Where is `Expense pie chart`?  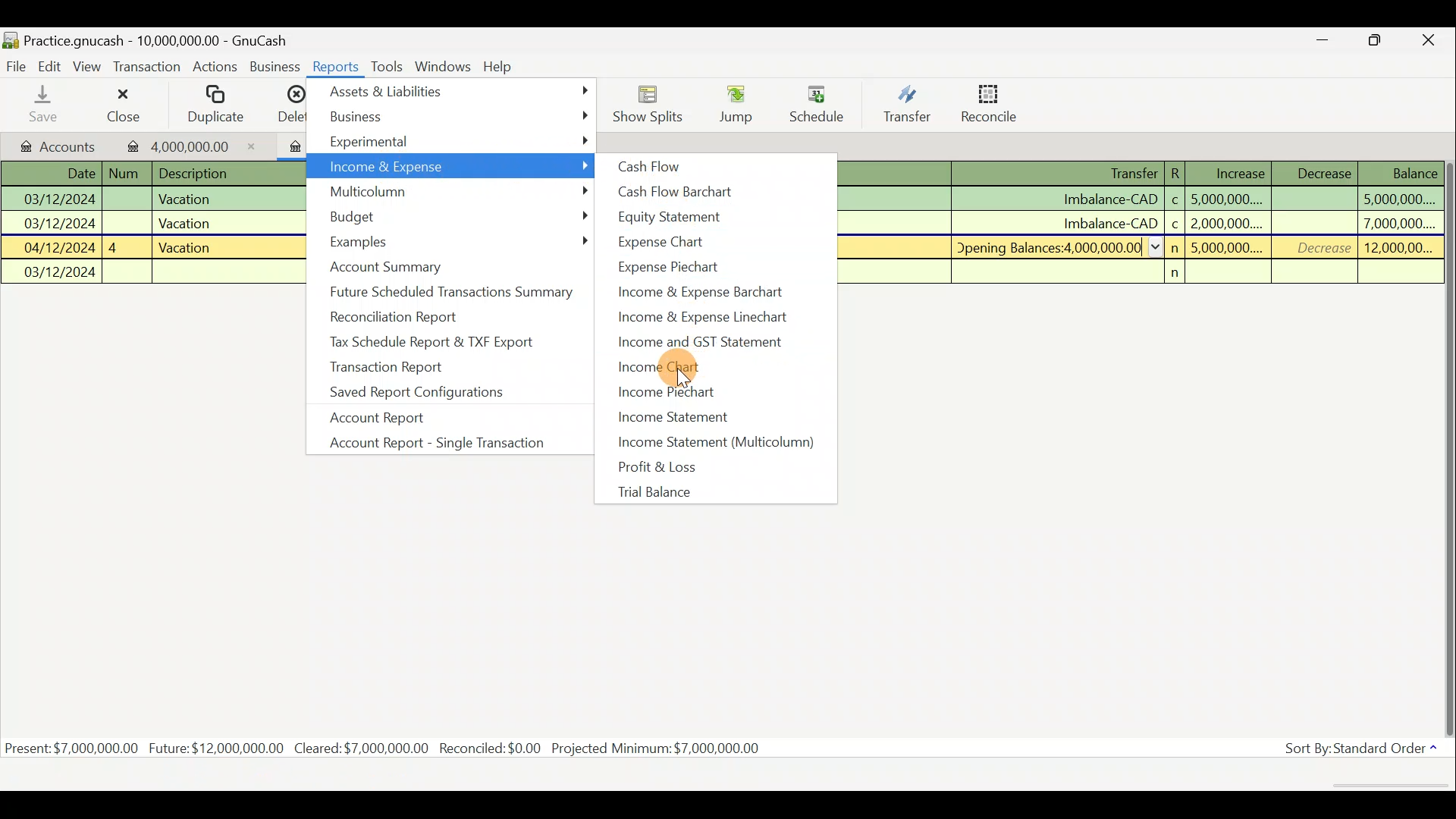
Expense pie chart is located at coordinates (671, 266).